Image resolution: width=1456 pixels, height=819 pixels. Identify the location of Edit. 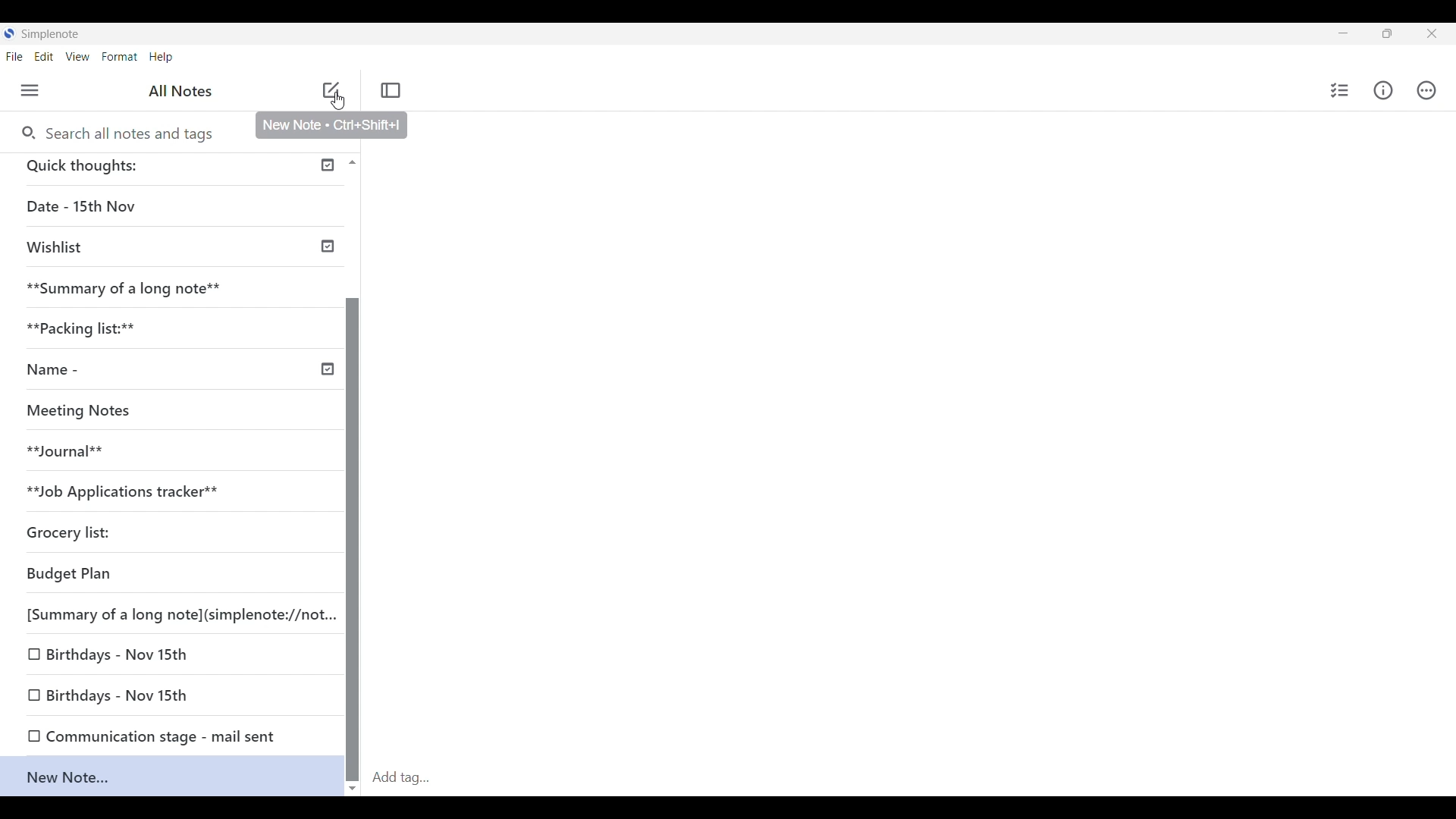
(44, 57).